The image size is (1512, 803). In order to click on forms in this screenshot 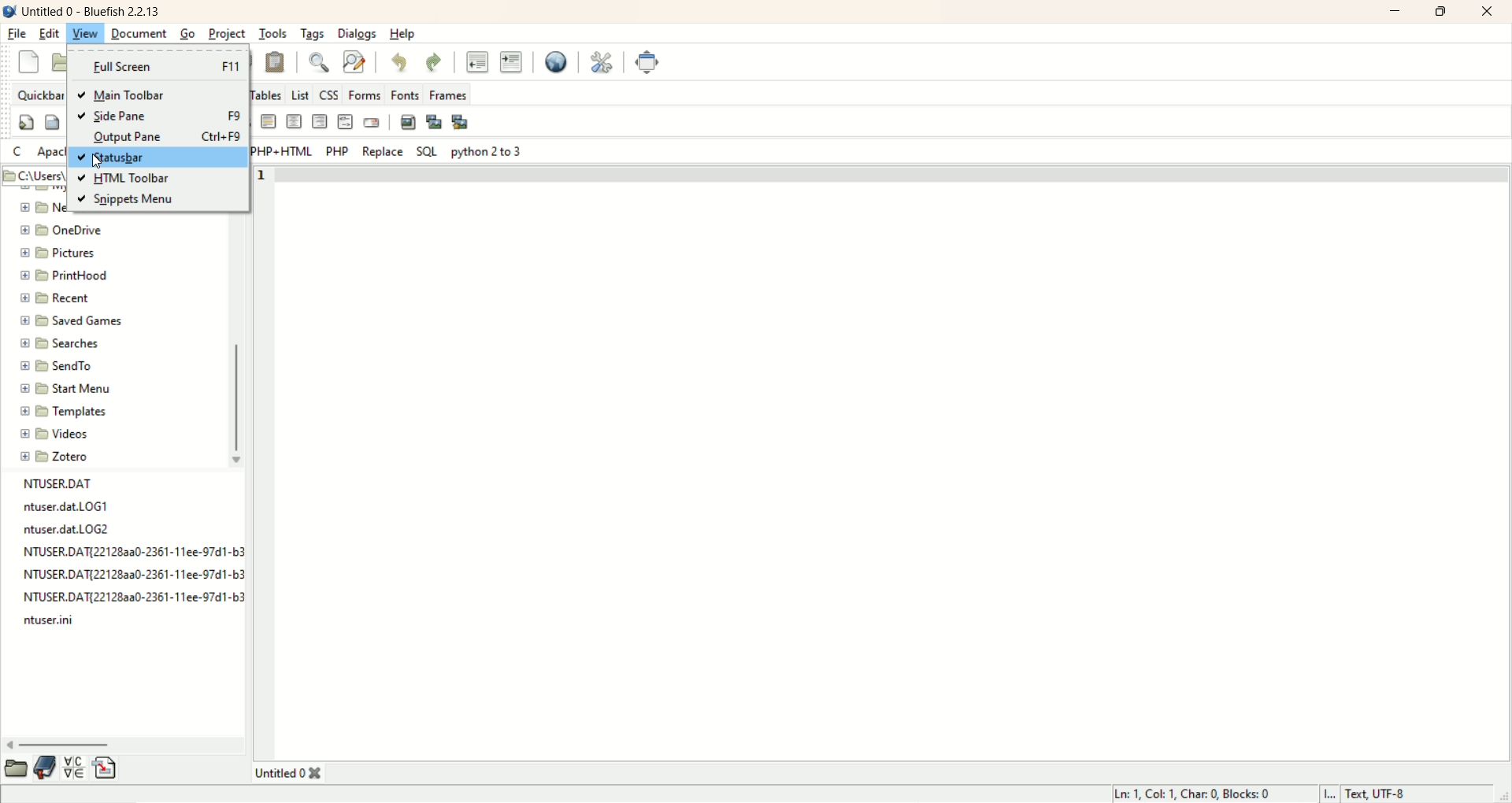, I will do `click(365, 94)`.